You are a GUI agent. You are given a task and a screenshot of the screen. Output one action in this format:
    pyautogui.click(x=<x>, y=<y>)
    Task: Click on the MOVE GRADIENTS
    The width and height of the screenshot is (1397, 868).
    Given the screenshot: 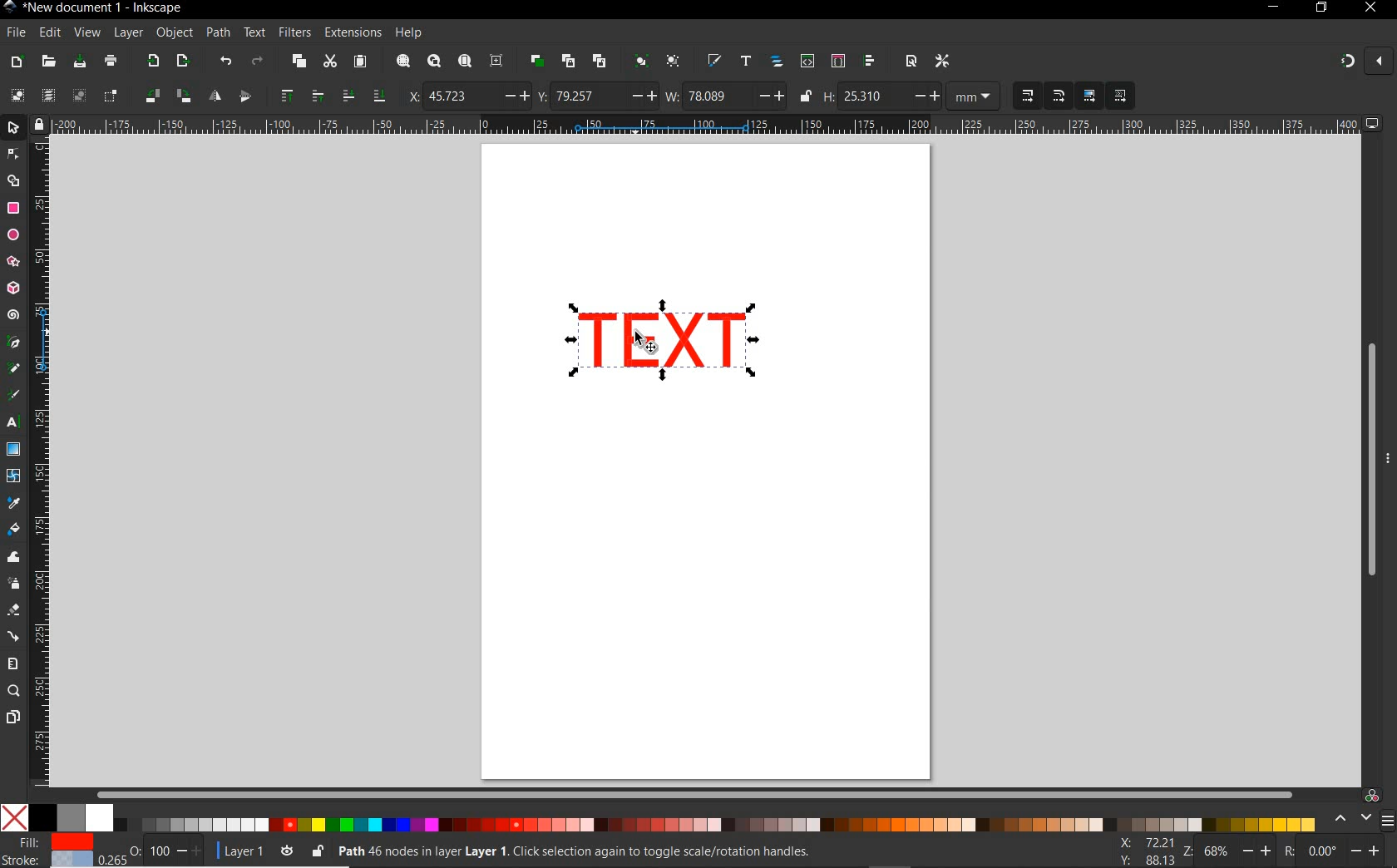 What is the action you would take?
    pyautogui.click(x=1089, y=96)
    